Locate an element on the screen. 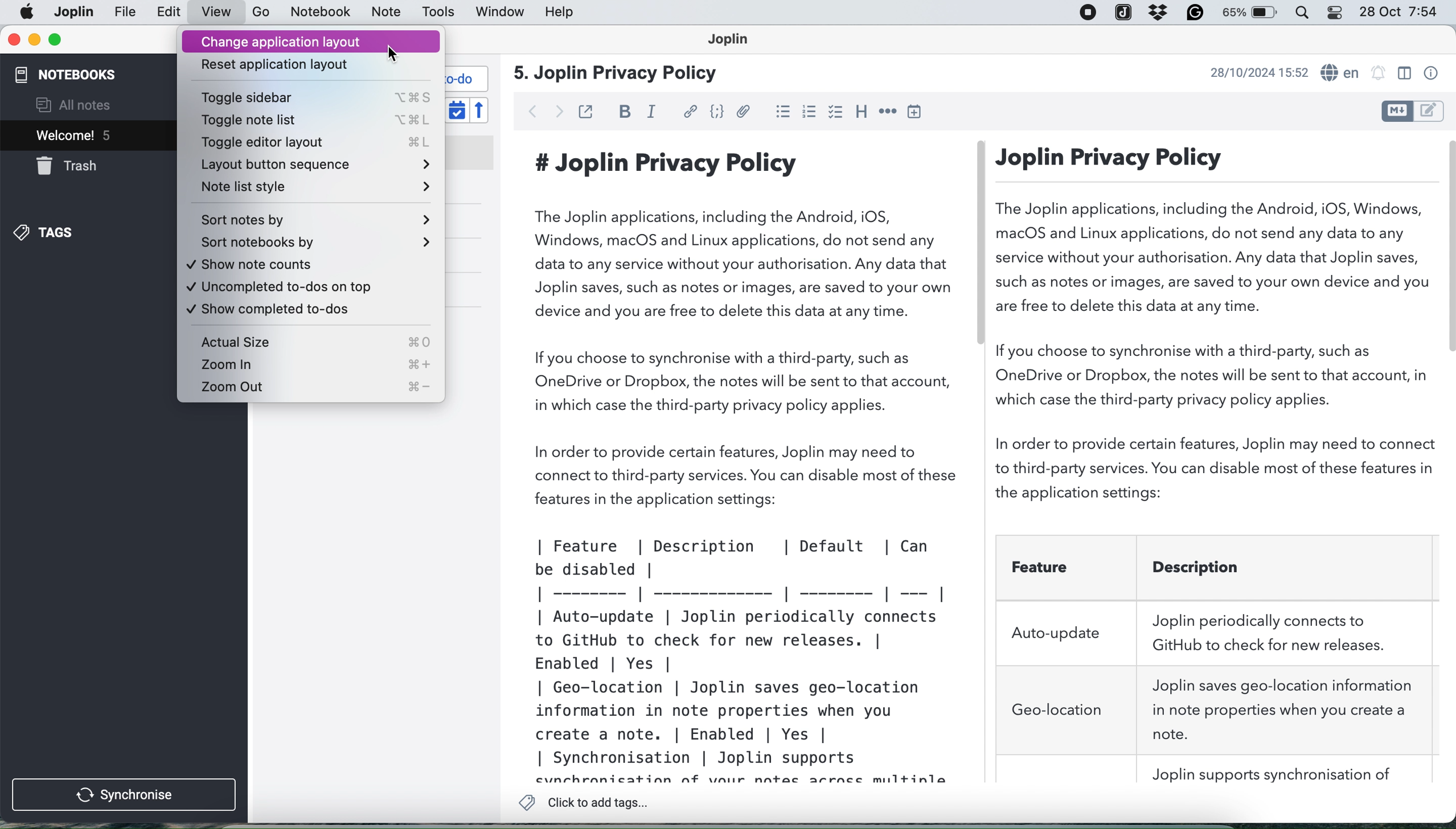 The height and width of the screenshot is (829, 1456). hyperlink is located at coordinates (692, 112).